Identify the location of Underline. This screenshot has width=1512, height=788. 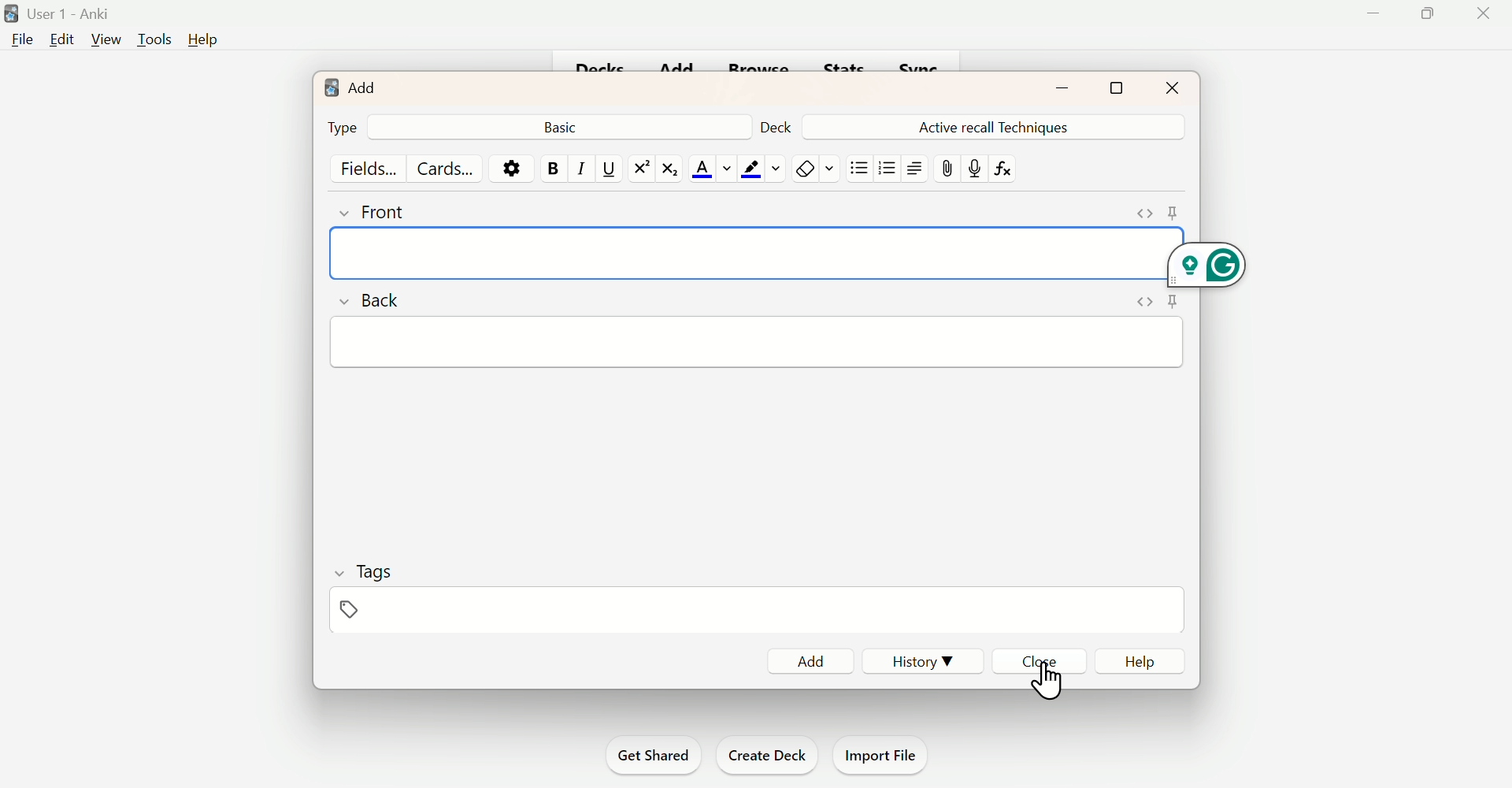
(609, 170).